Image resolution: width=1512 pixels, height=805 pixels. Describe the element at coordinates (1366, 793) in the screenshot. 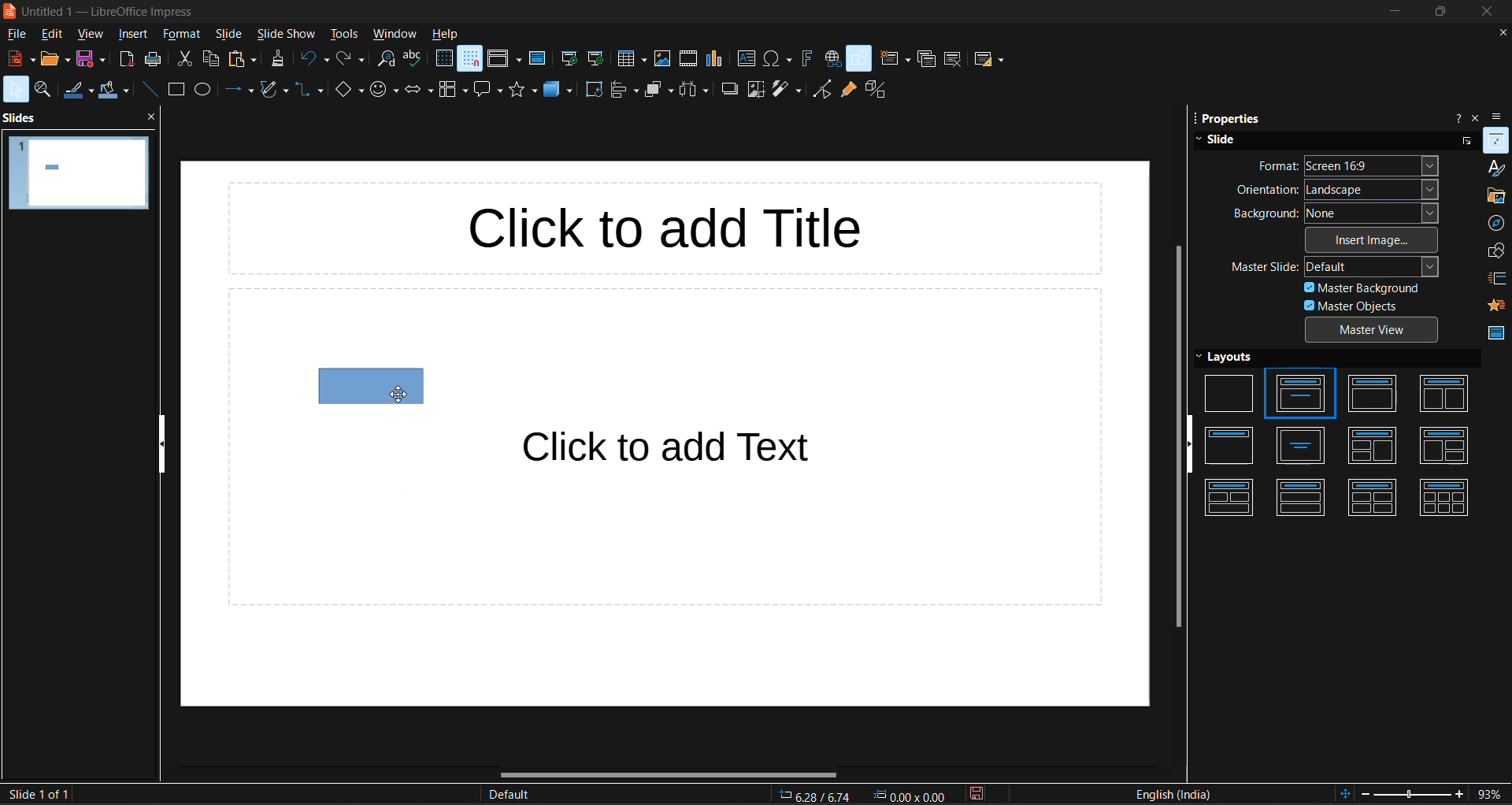

I see `zoom out` at that location.